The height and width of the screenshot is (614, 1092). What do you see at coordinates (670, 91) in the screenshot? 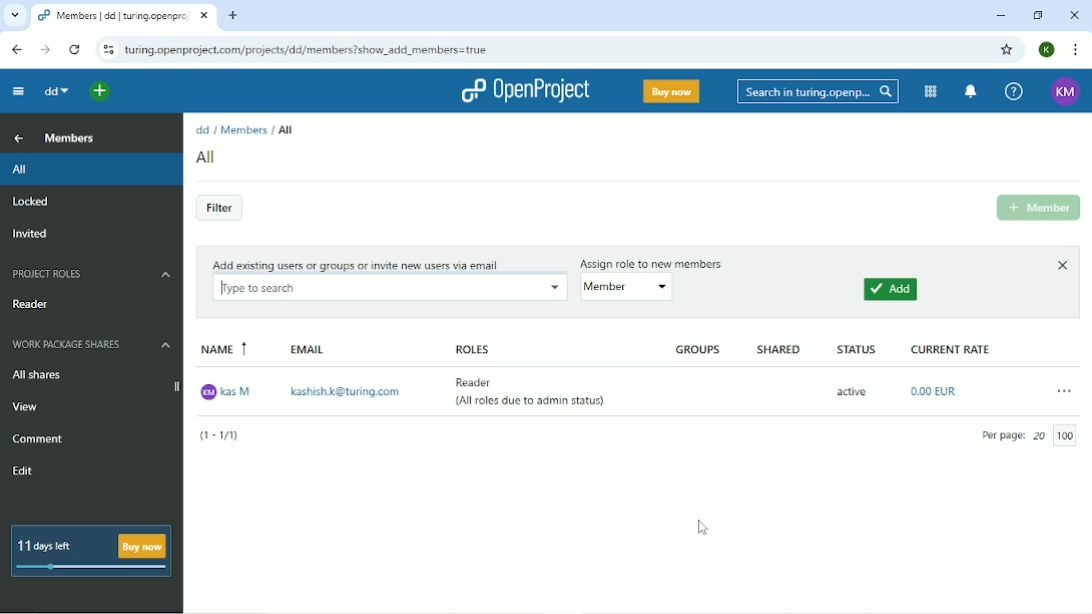
I see `Buy now` at bounding box center [670, 91].